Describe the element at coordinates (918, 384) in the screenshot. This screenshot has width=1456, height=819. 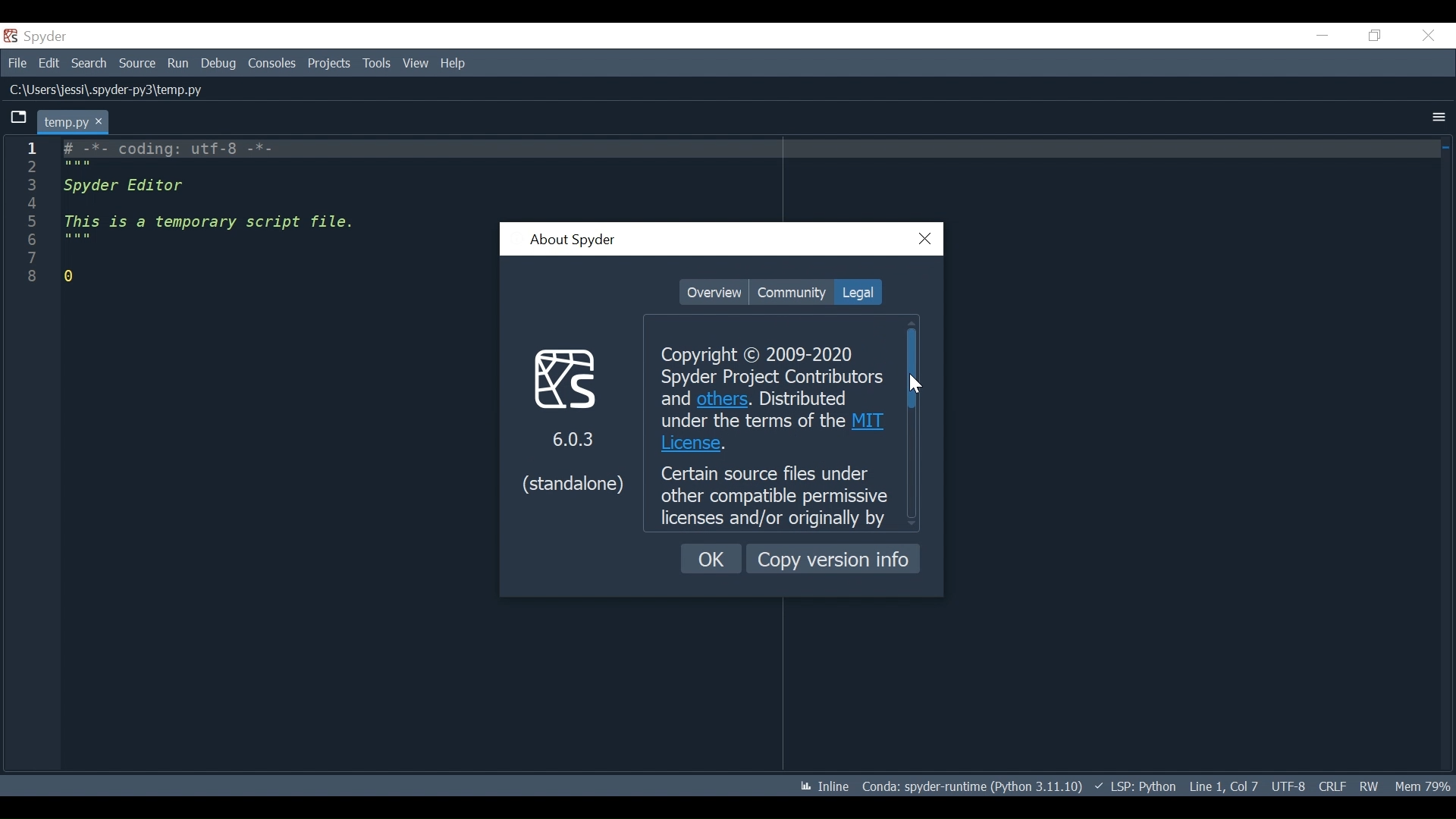
I see `Cursor` at that location.